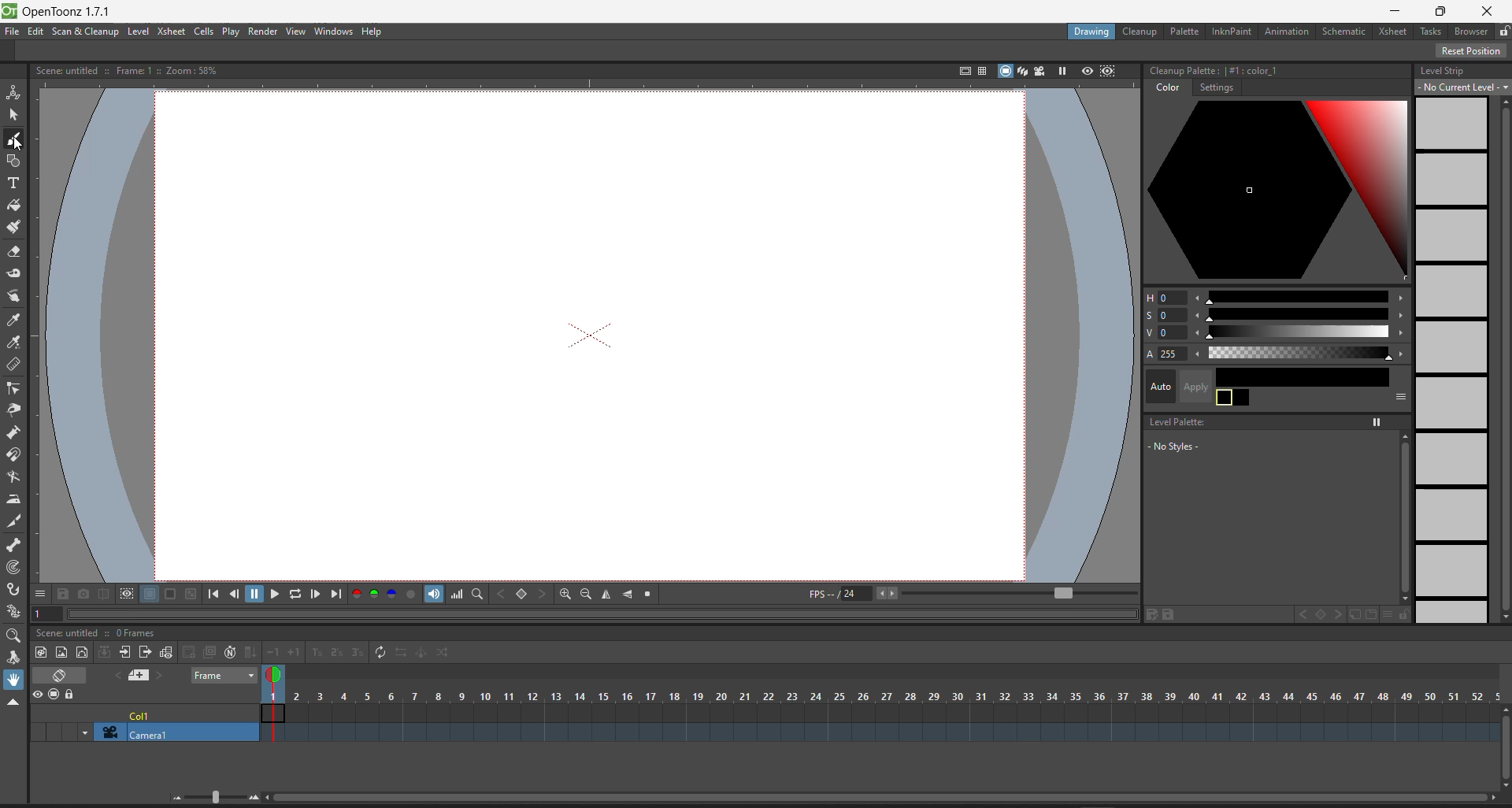 Image resolution: width=1512 pixels, height=808 pixels. Describe the element at coordinates (500, 593) in the screenshot. I see `previous key` at that location.